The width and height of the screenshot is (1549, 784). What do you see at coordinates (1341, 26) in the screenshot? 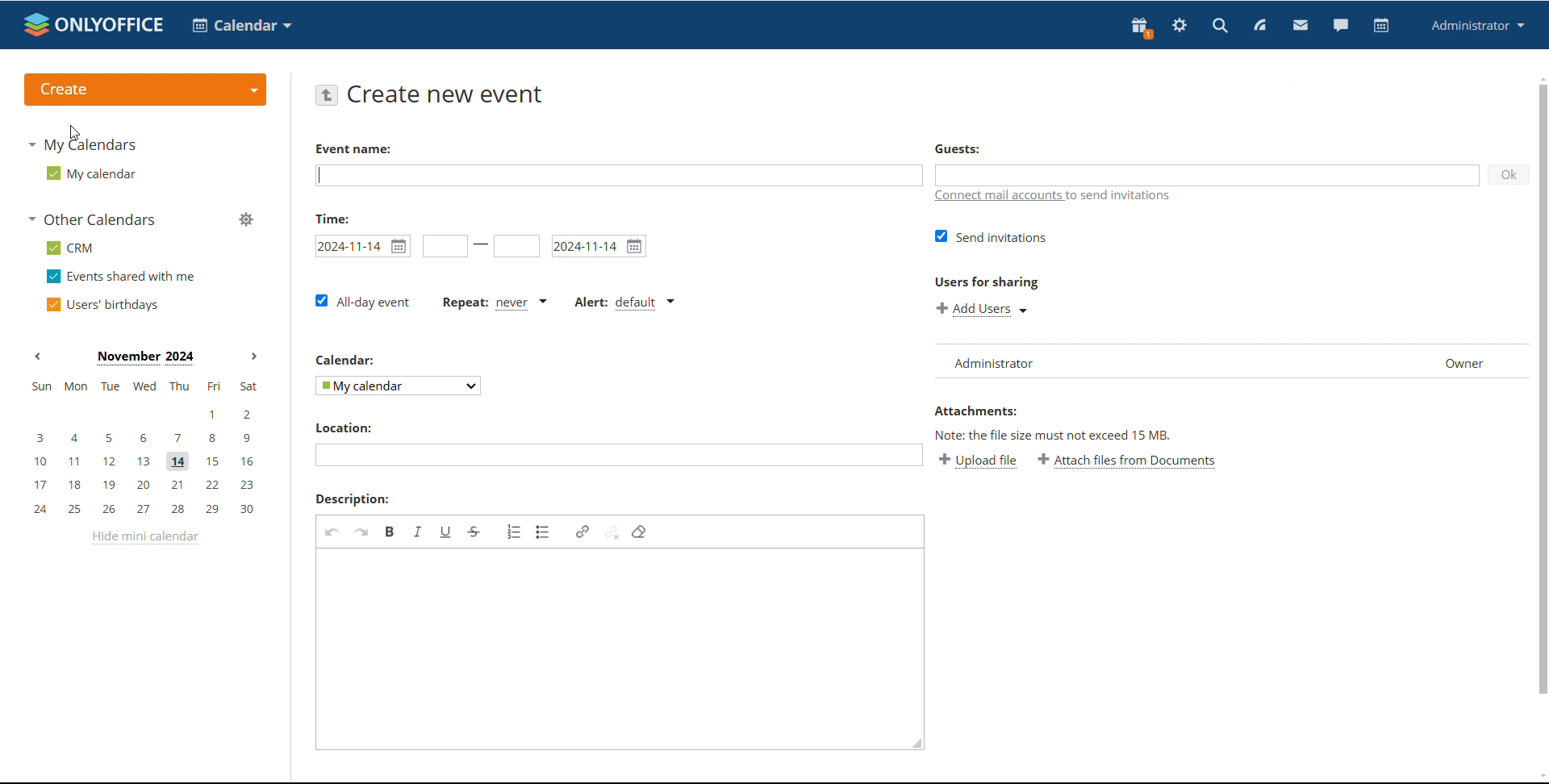
I see `chat` at bounding box center [1341, 26].